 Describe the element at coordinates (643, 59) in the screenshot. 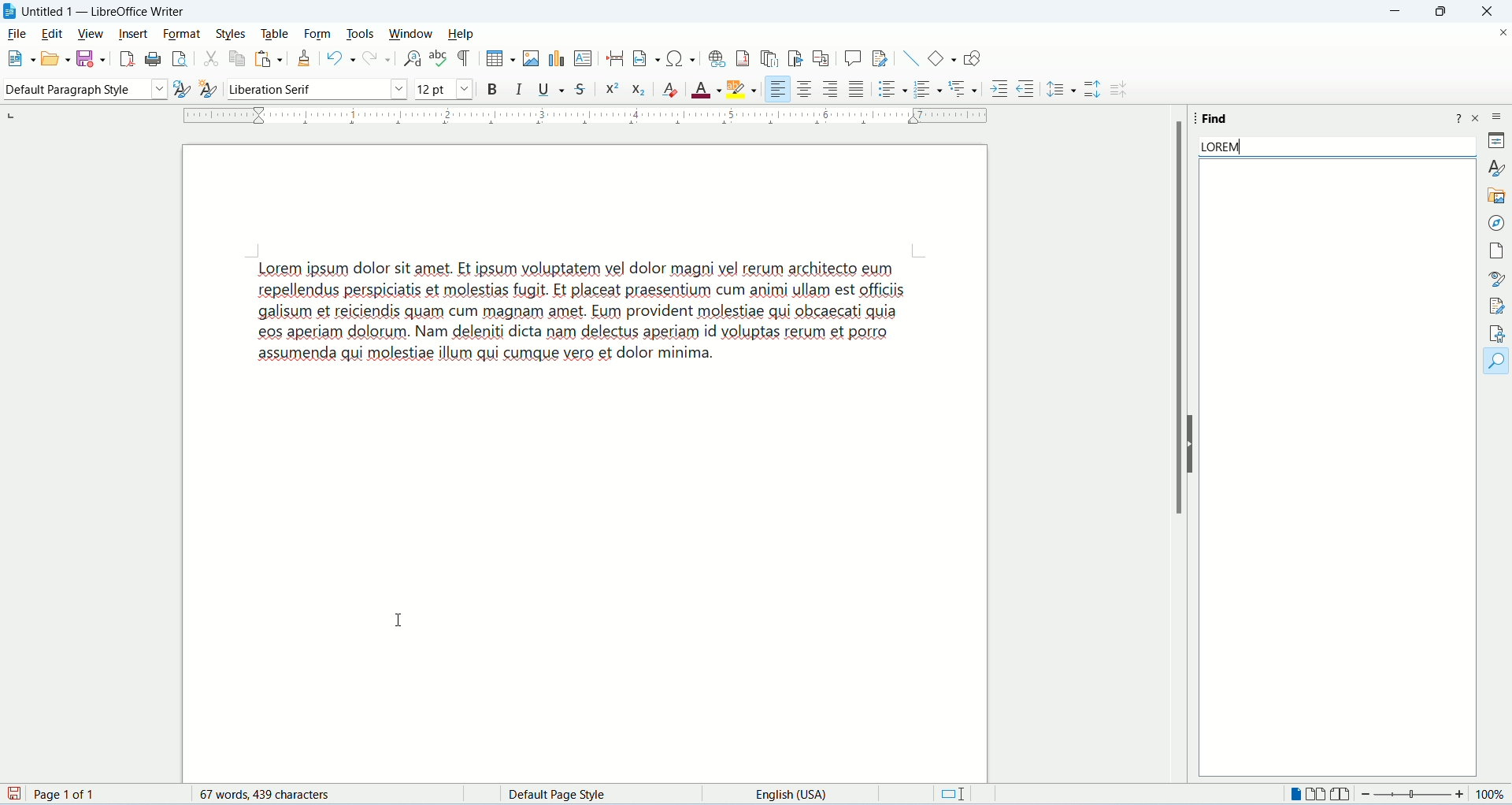

I see `insert field` at that location.